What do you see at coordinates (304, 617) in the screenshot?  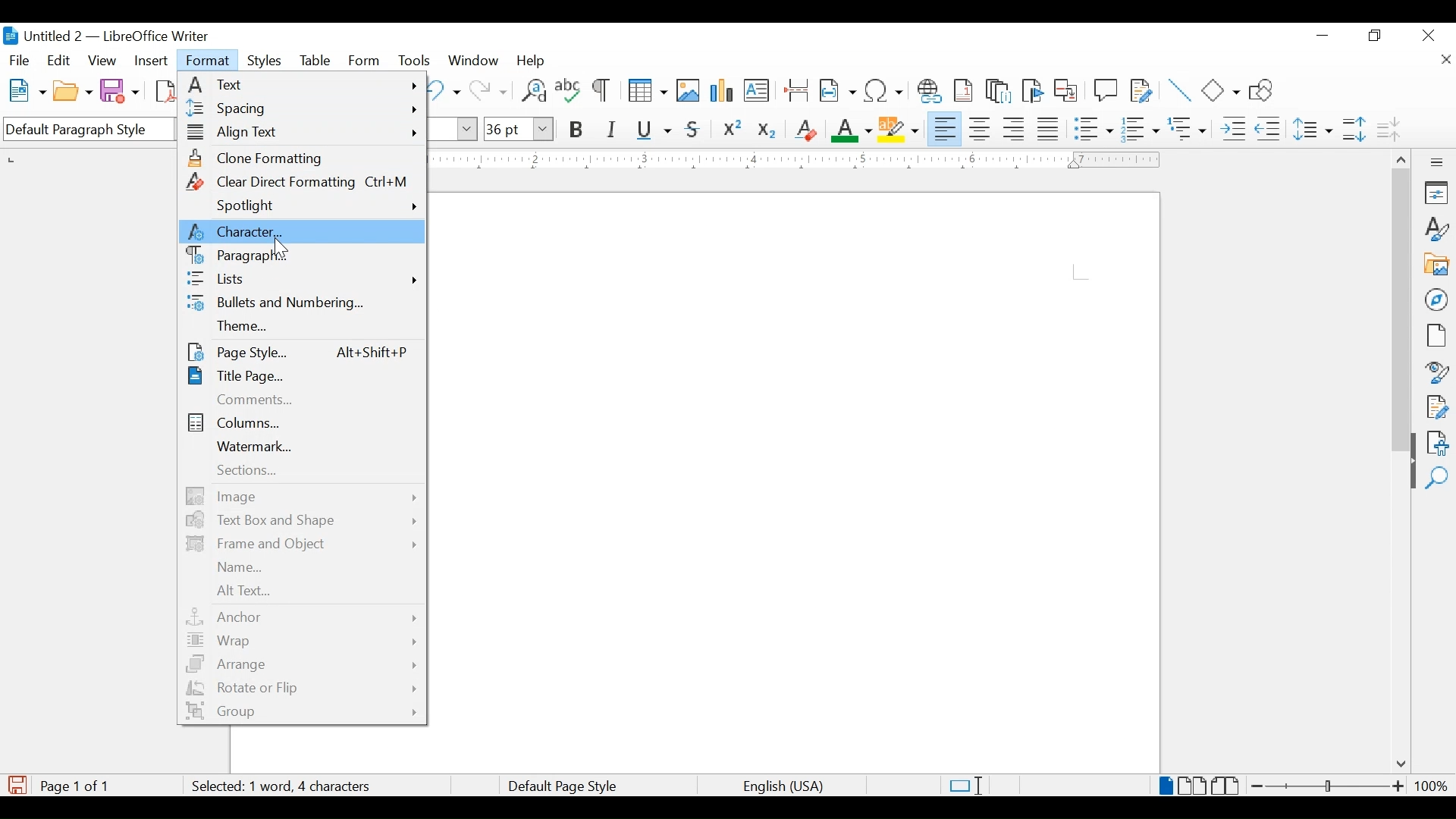 I see `anchor menu` at bounding box center [304, 617].